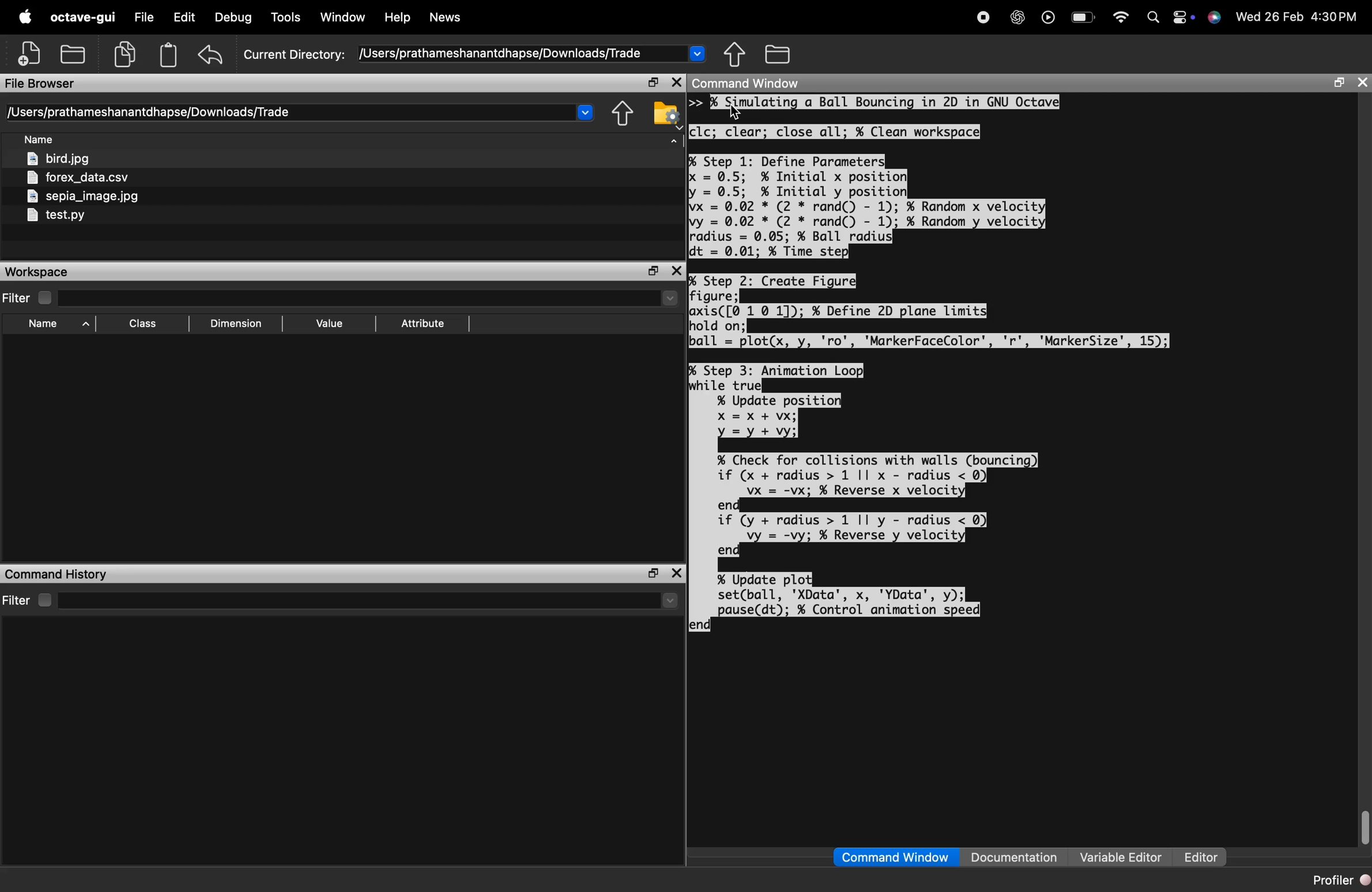 This screenshot has height=892, width=1372. Describe the element at coordinates (39, 138) in the screenshot. I see `Name` at that location.